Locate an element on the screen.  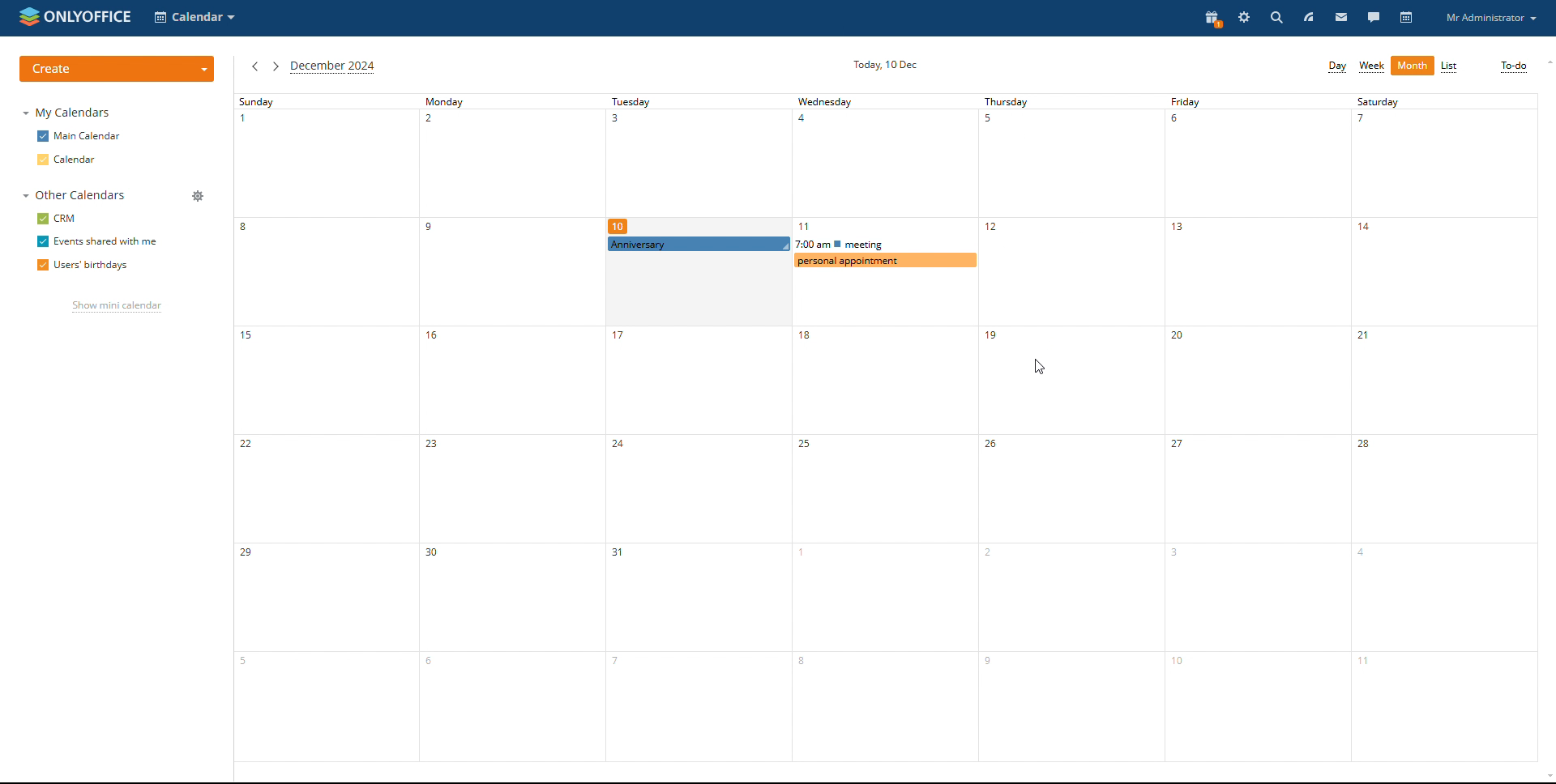
other calendars is located at coordinates (74, 195).